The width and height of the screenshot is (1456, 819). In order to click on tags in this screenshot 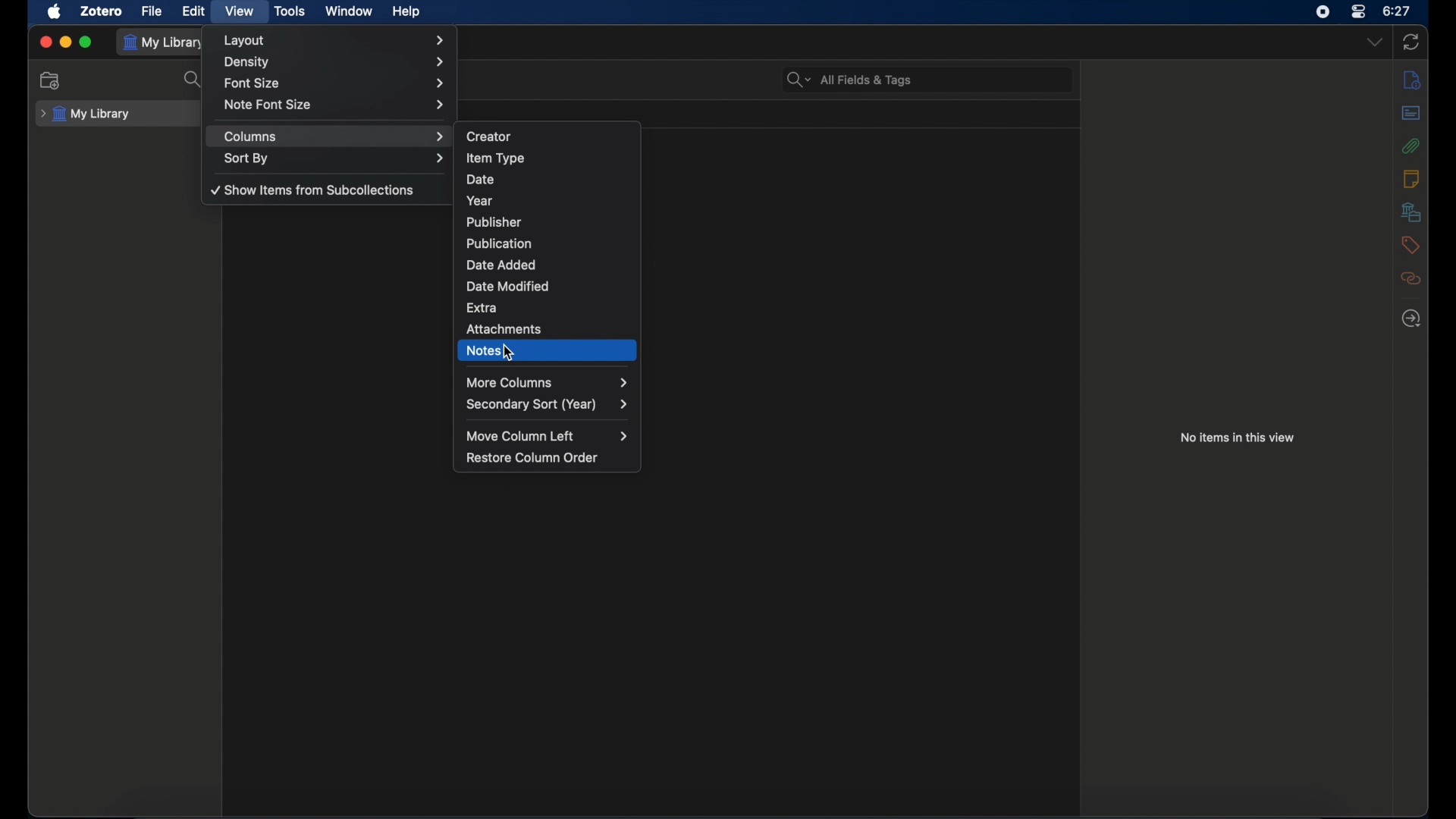, I will do `click(1410, 245)`.